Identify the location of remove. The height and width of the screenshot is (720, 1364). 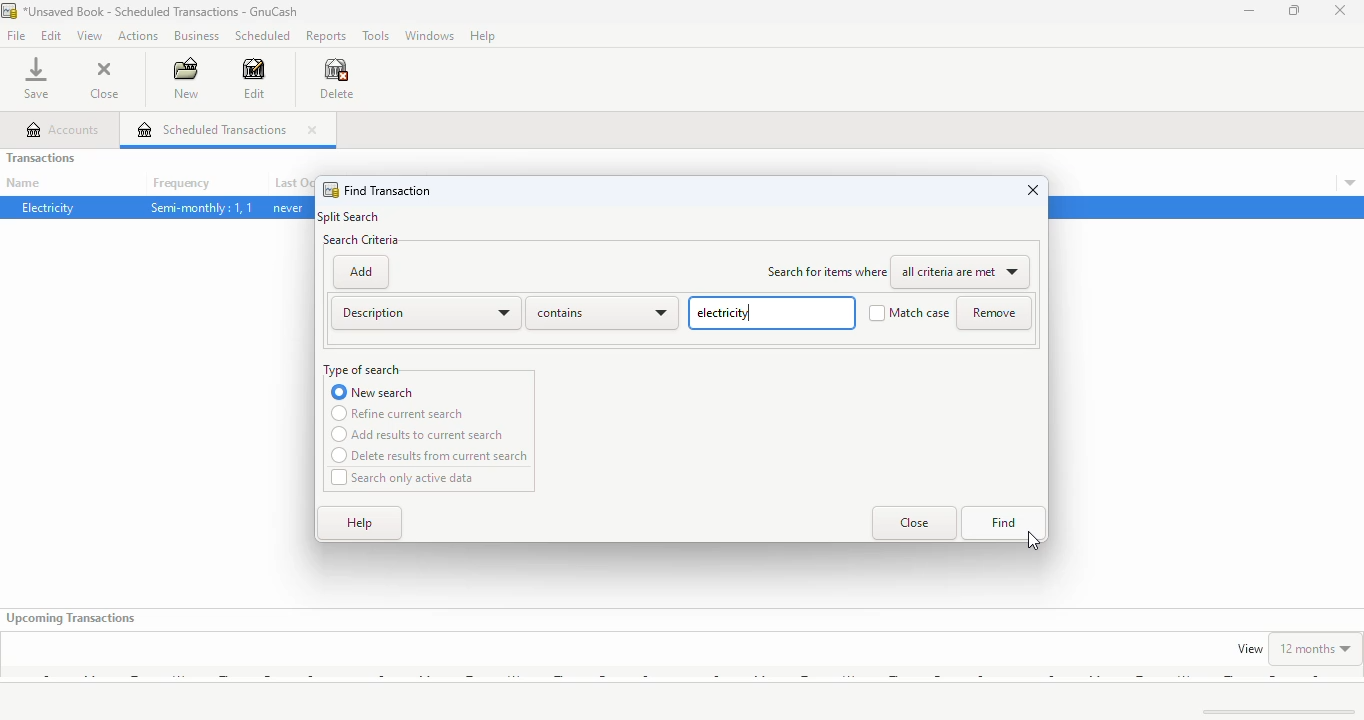
(994, 313).